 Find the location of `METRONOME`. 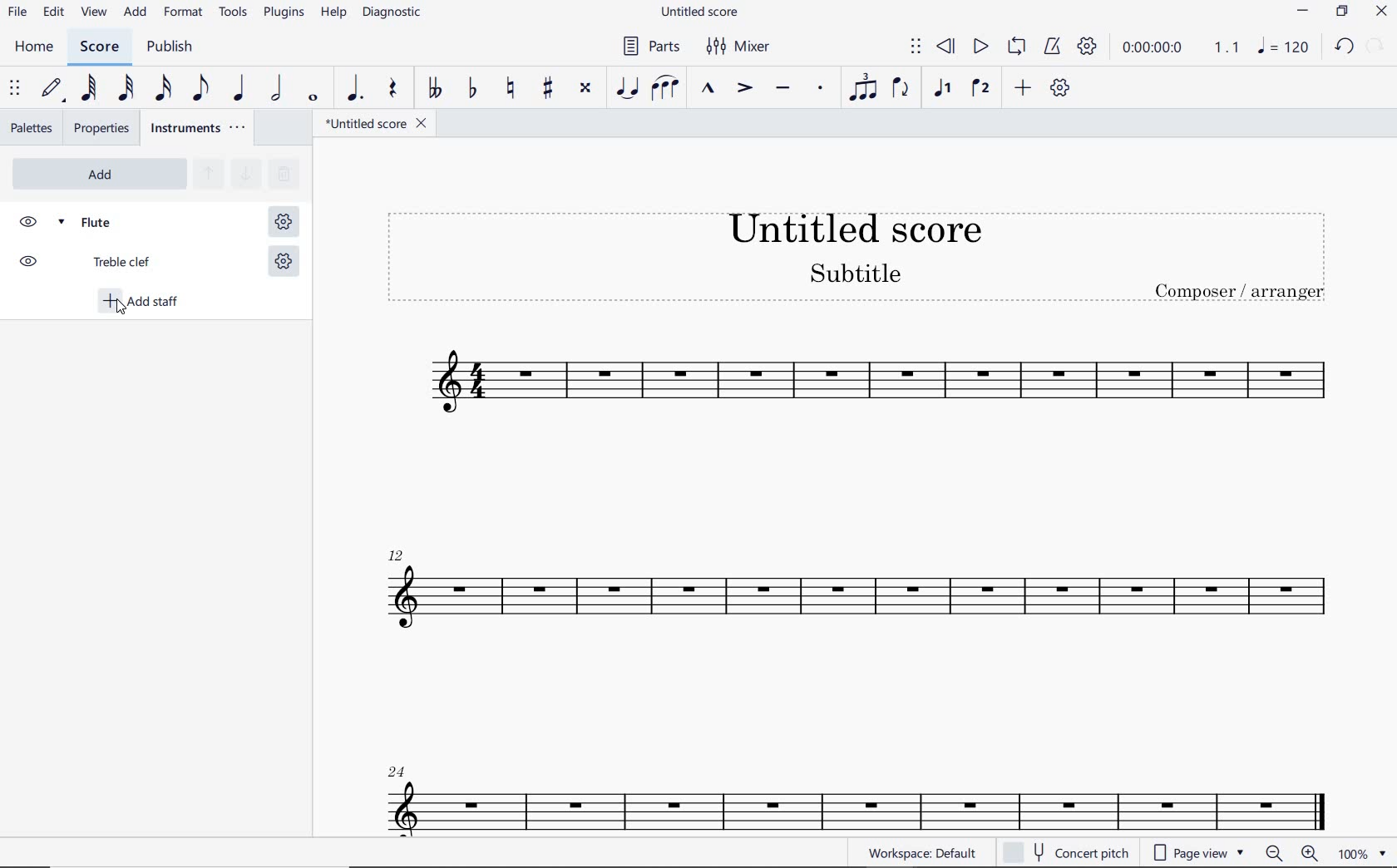

METRONOME is located at coordinates (1054, 47).